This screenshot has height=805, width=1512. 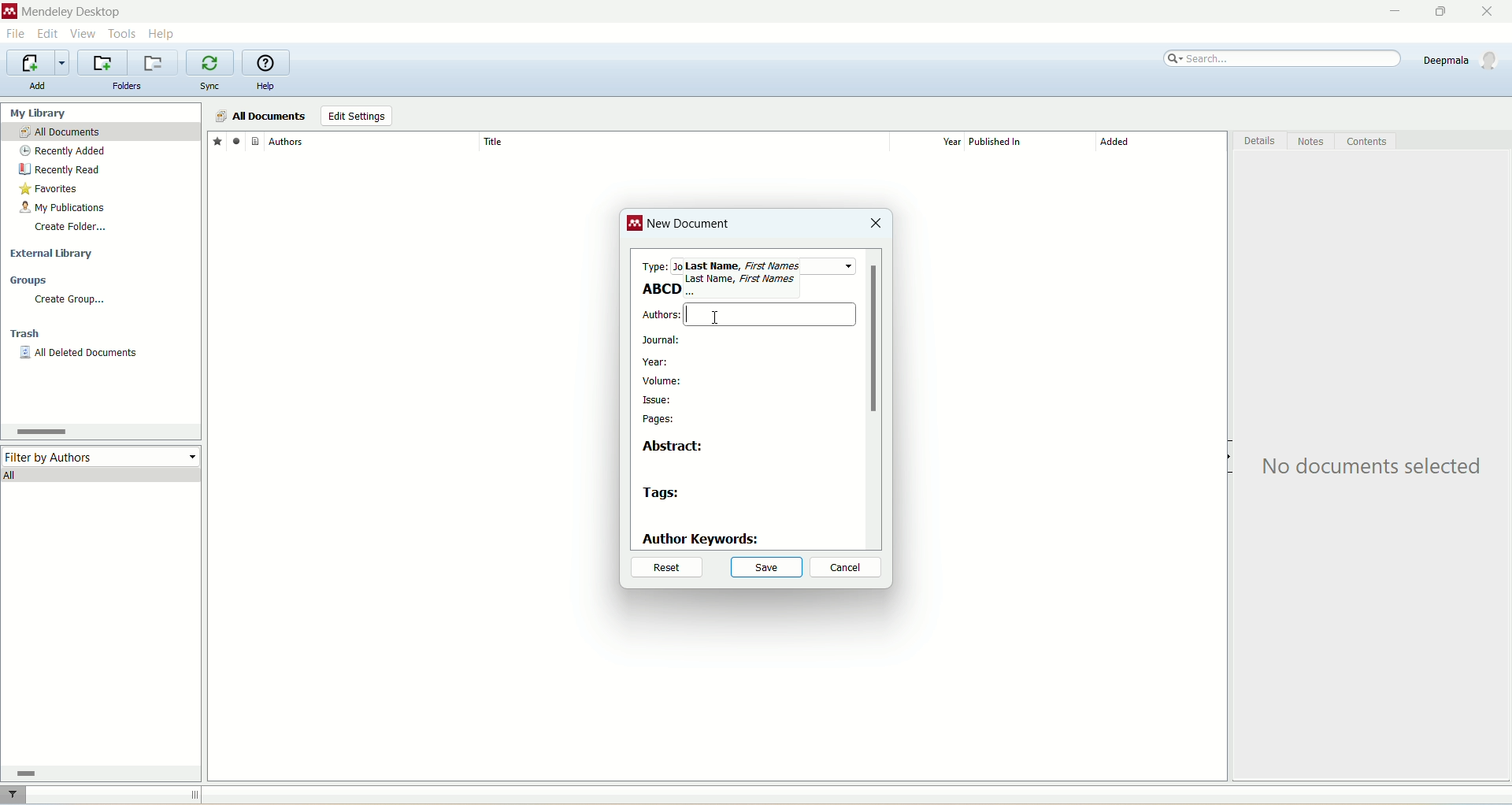 I want to click on author, so click(x=373, y=142).